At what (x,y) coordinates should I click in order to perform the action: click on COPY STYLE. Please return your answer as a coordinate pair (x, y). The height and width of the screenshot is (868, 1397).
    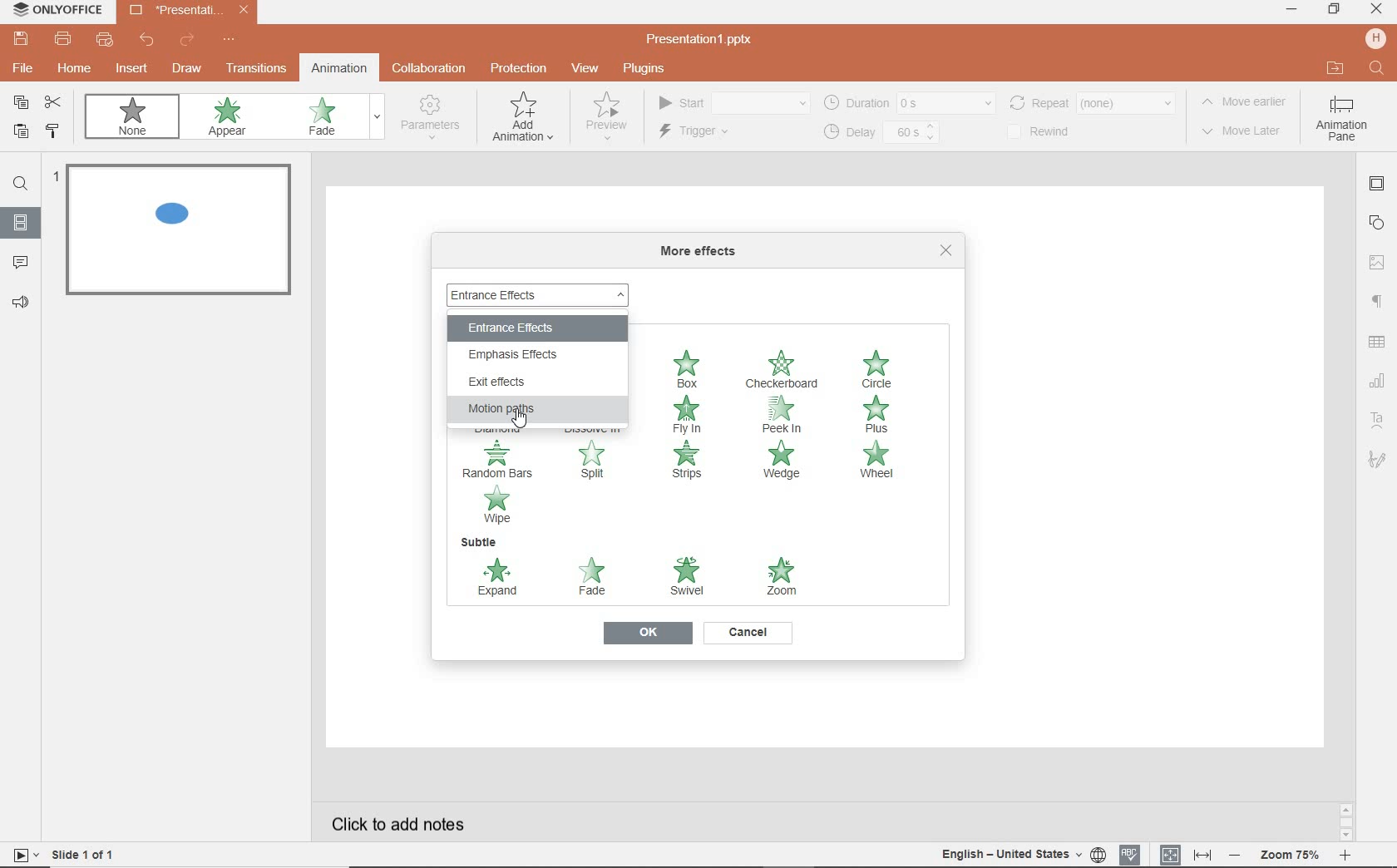
    Looking at the image, I should click on (53, 131).